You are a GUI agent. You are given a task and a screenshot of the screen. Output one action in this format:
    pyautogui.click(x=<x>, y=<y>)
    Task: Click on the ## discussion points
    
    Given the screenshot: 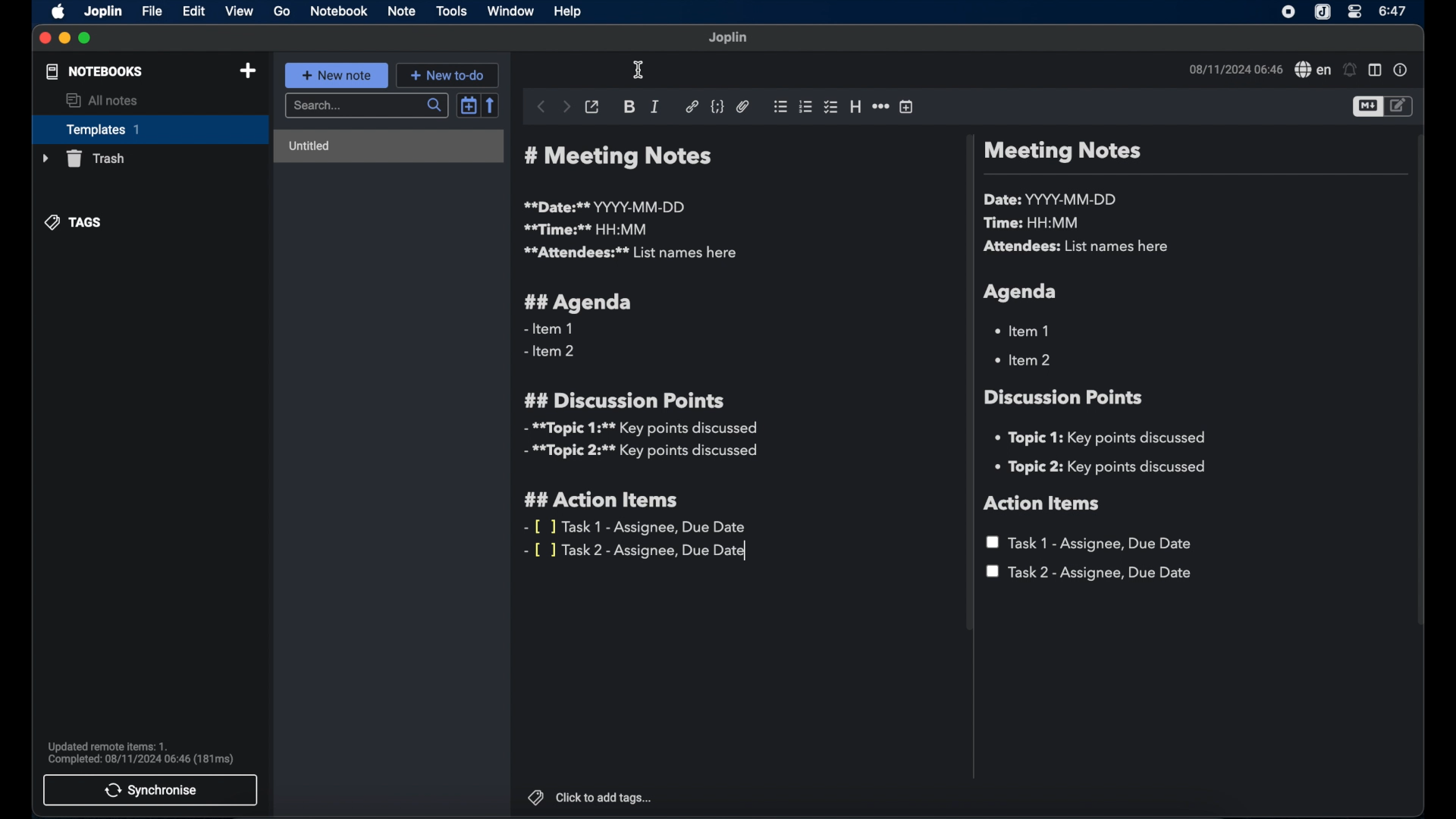 What is the action you would take?
    pyautogui.click(x=624, y=400)
    